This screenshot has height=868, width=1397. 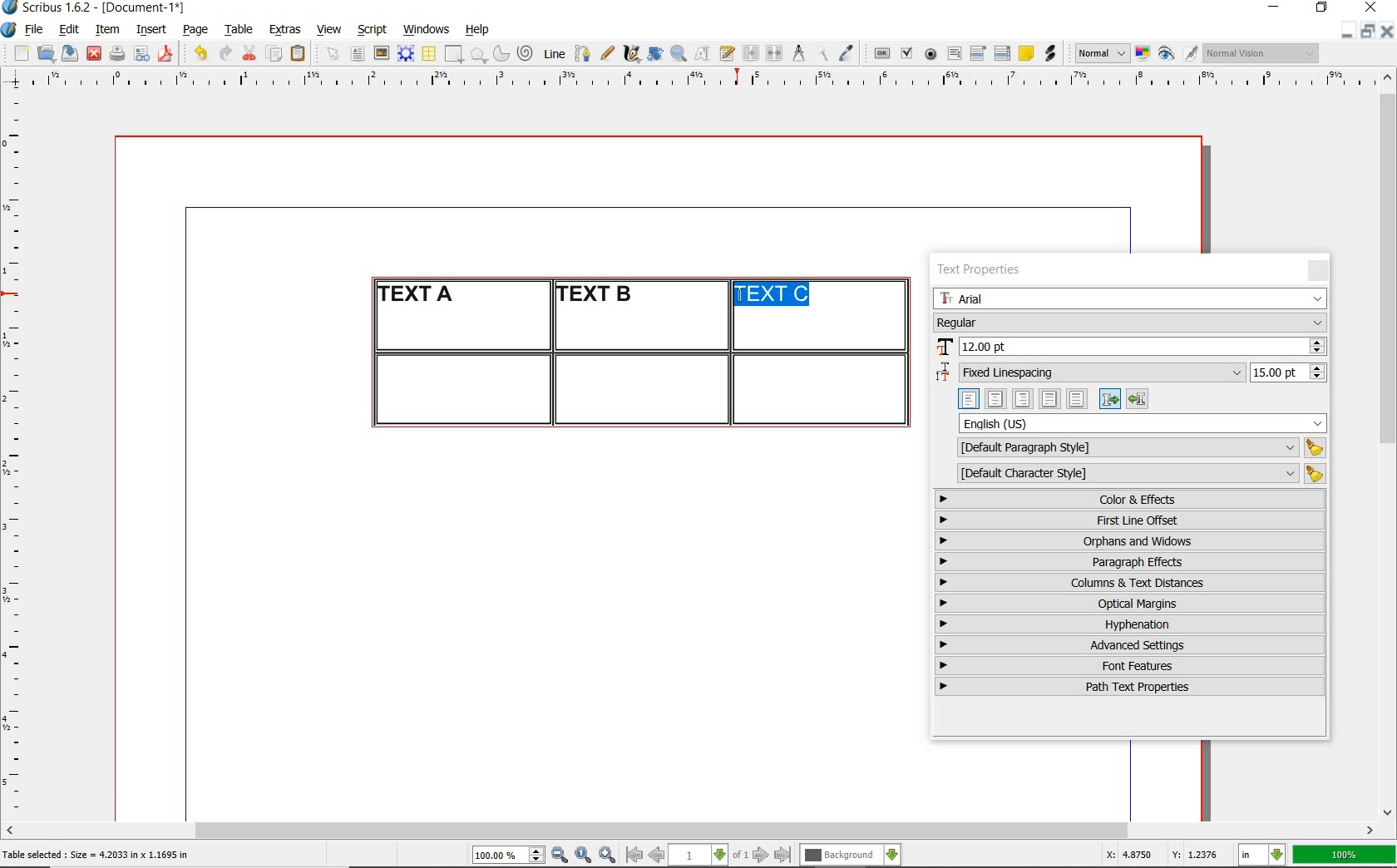 I want to click on minimize, so click(x=1276, y=8).